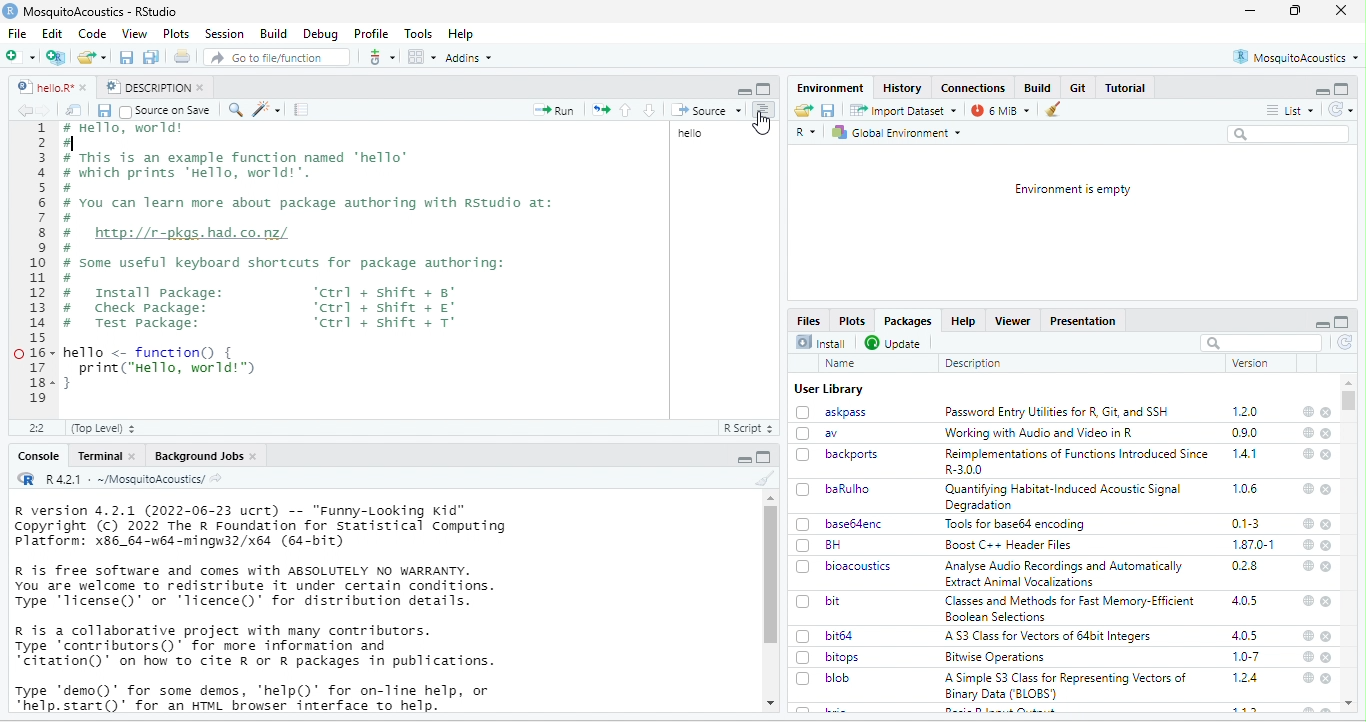 The width and height of the screenshot is (1366, 722). Describe the element at coordinates (312, 259) in the screenshot. I see `# Hello, World! # This is an example function named ‘hello’# which prints Hello, world!’.# You can learn more about package authoring with Rstudio at:I#  huep://r-pkgs.had.co.nz/.# Some useful keyboard shortcuts for package authoring:I# Install package: ‘ctrl + shift + 8°# Check Package: ‘ctrl + shift + €°# Test package: ‘ctrl + shift + T°hello <- function() {print("Hello, world")H` at that location.